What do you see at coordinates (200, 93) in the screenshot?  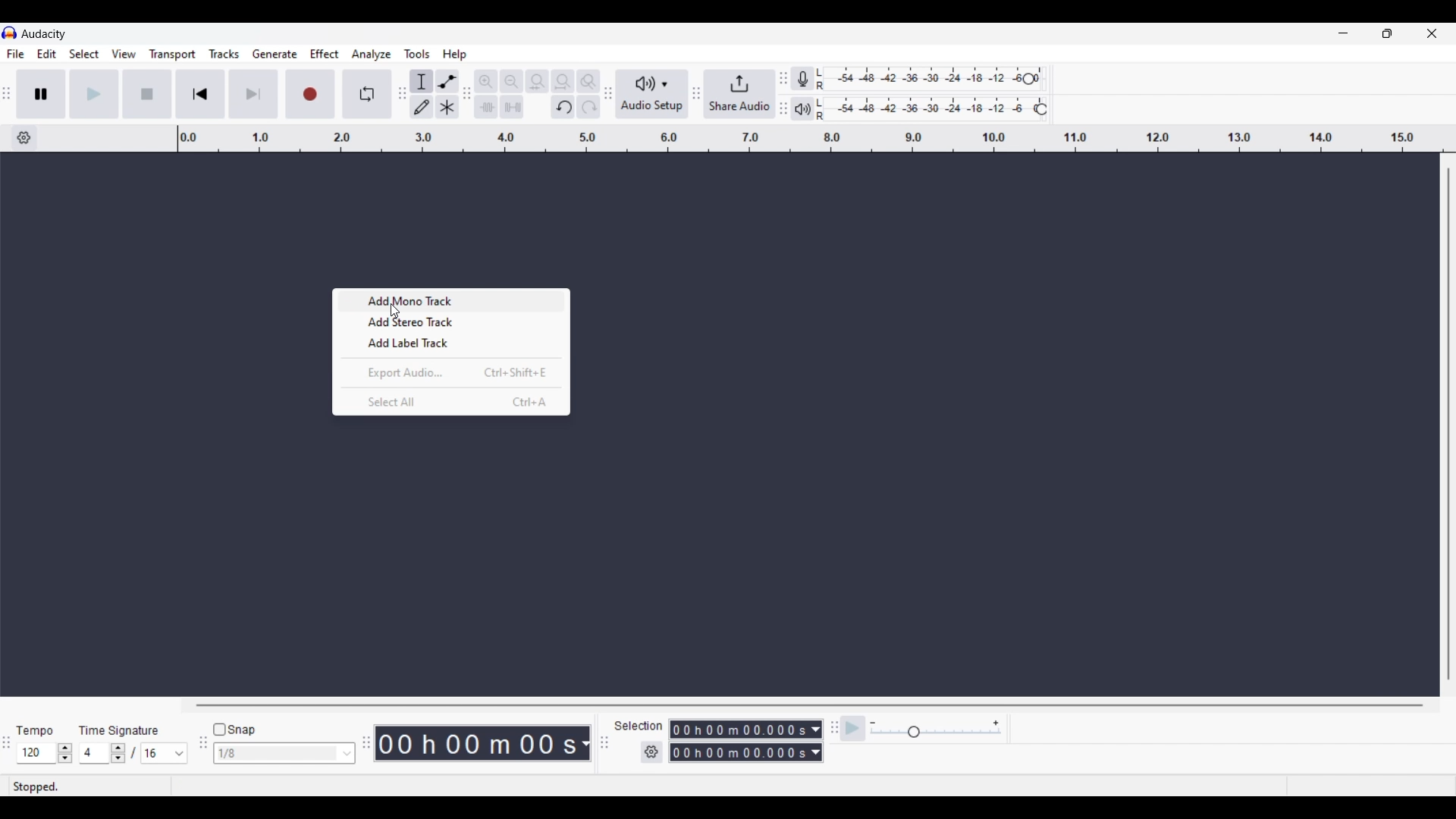 I see `Skip to start/Select to start` at bounding box center [200, 93].